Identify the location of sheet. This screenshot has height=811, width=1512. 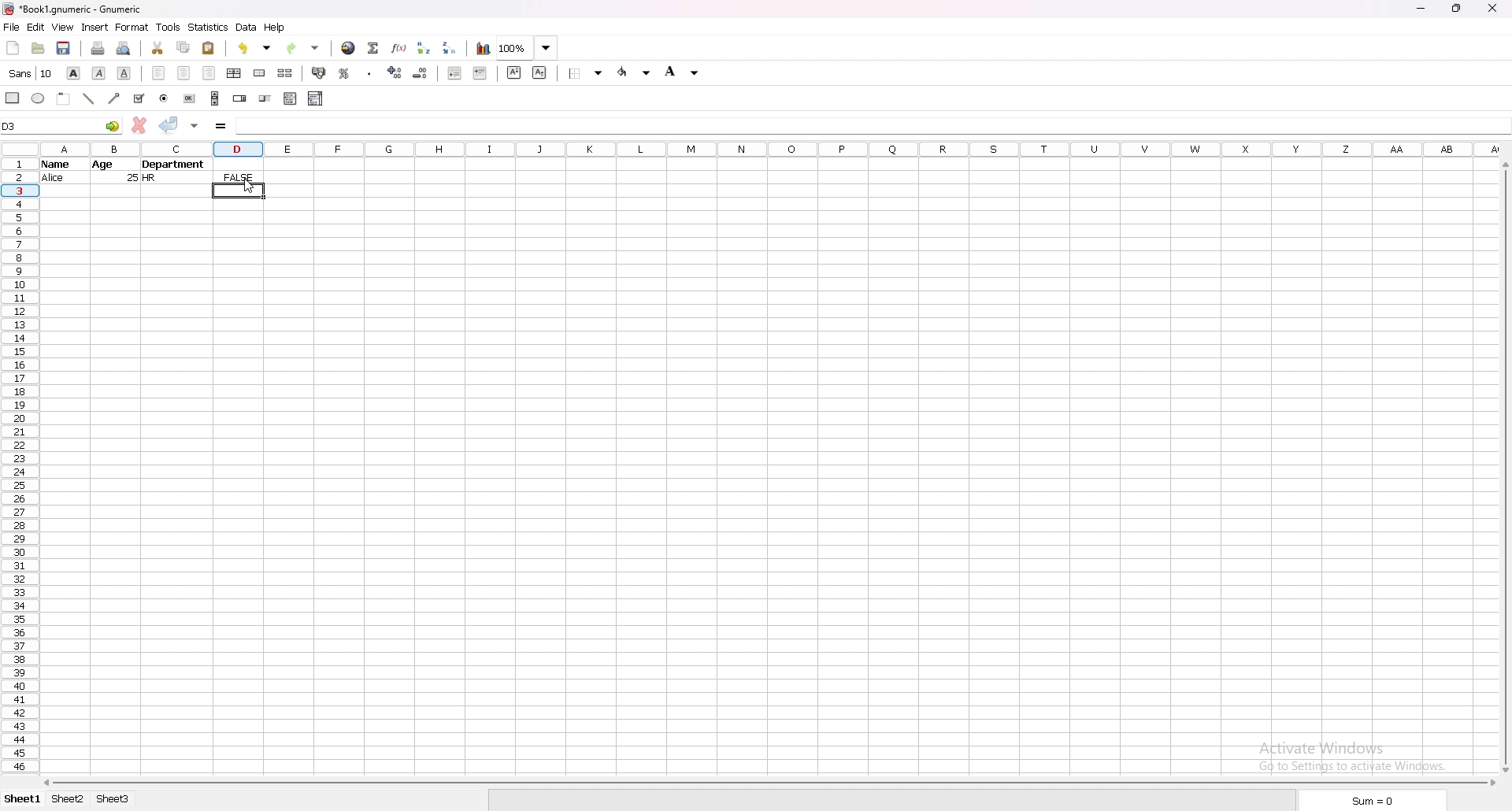
(66, 799).